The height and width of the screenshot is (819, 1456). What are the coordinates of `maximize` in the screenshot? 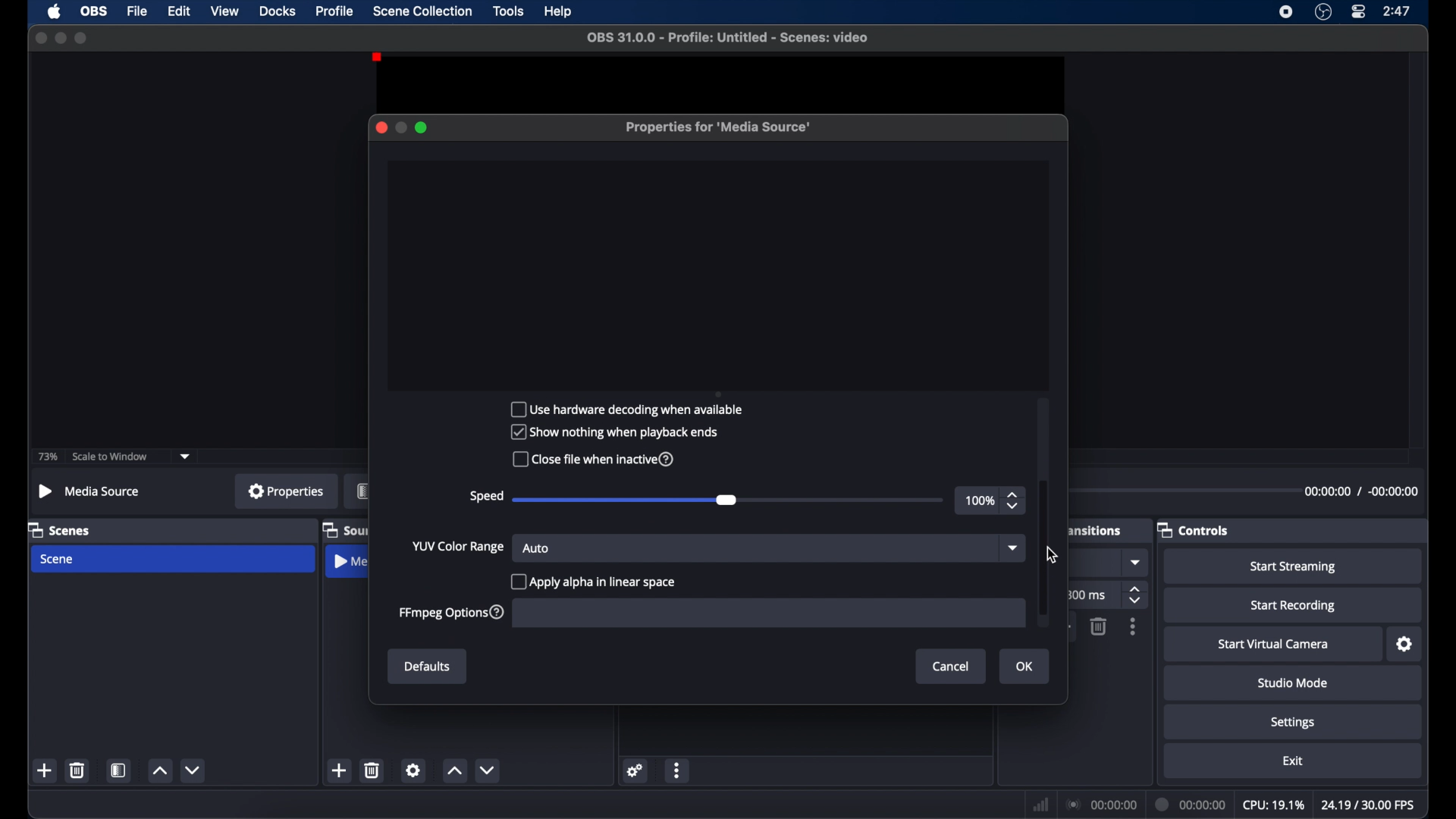 It's located at (82, 39).